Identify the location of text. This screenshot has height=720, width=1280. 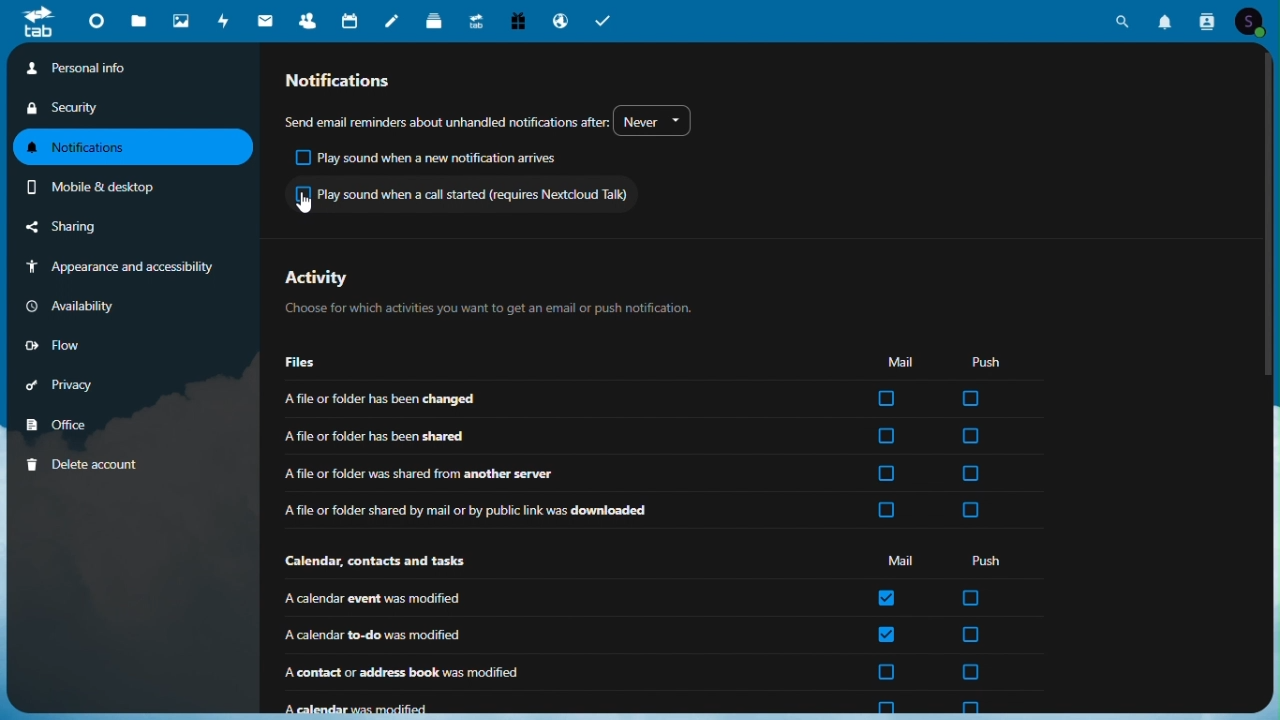
(446, 117).